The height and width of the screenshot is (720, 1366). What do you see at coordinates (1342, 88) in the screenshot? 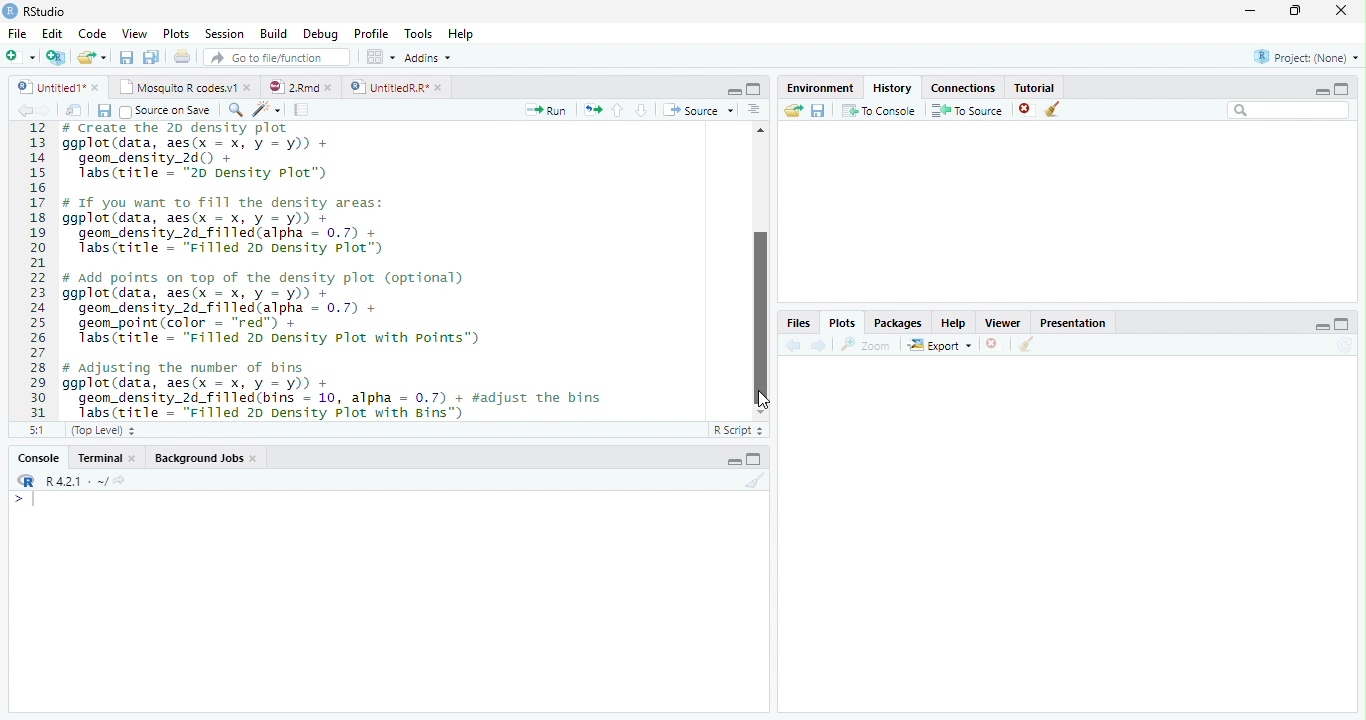
I see `maximize` at bounding box center [1342, 88].